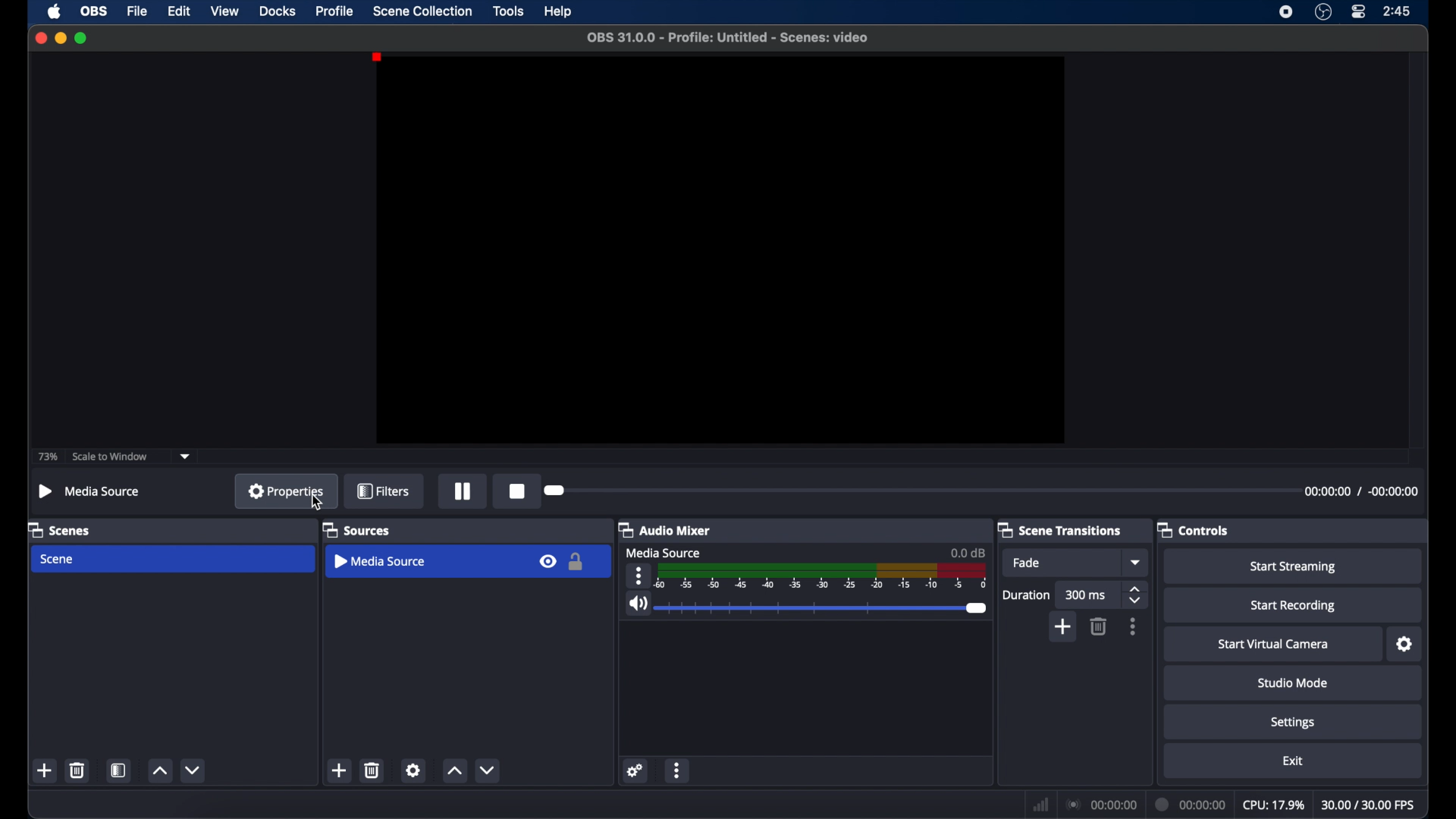 The image size is (1456, 819). Describe the element at coordinates (1040, 805) in the screenshot. I see `network` at that location.